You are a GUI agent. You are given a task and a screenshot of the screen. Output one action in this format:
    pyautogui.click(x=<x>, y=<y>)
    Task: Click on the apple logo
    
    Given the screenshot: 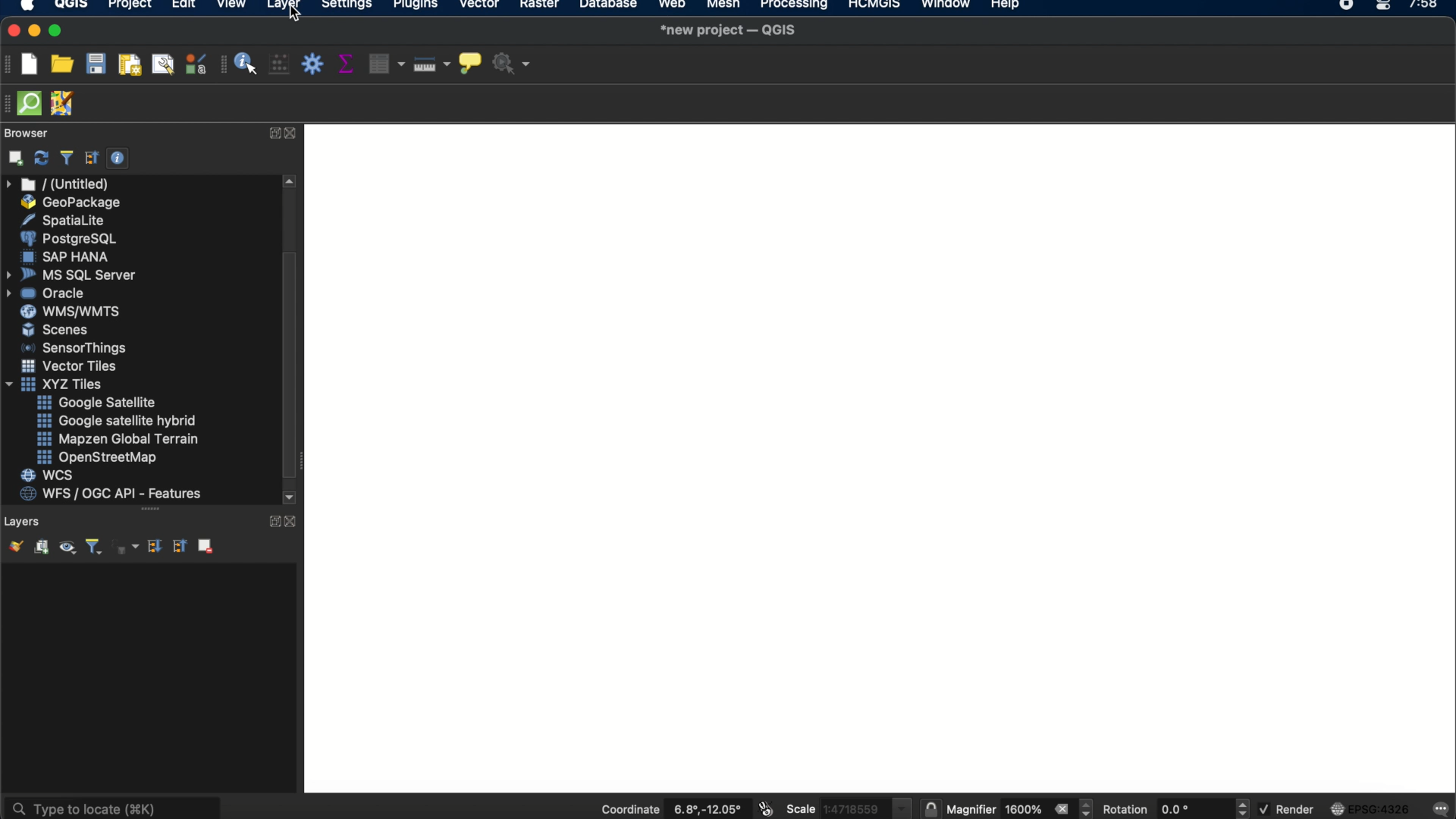 What is the action you would take?
    pyautogui.click(x=25, y=6)
    